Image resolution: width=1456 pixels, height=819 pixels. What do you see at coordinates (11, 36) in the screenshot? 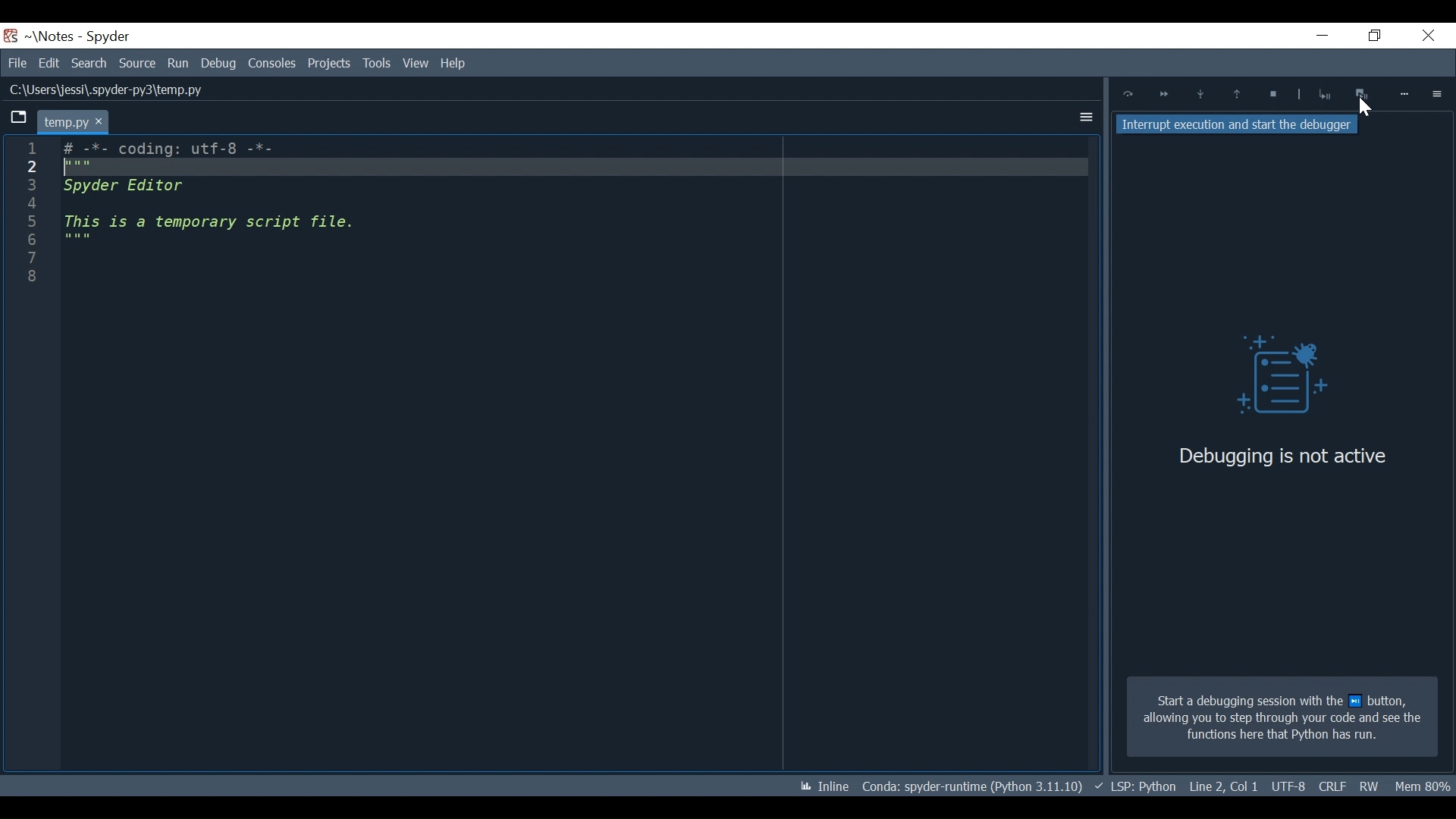
I see `Spyder Desktop Icon` at bounding box center [11, 36].